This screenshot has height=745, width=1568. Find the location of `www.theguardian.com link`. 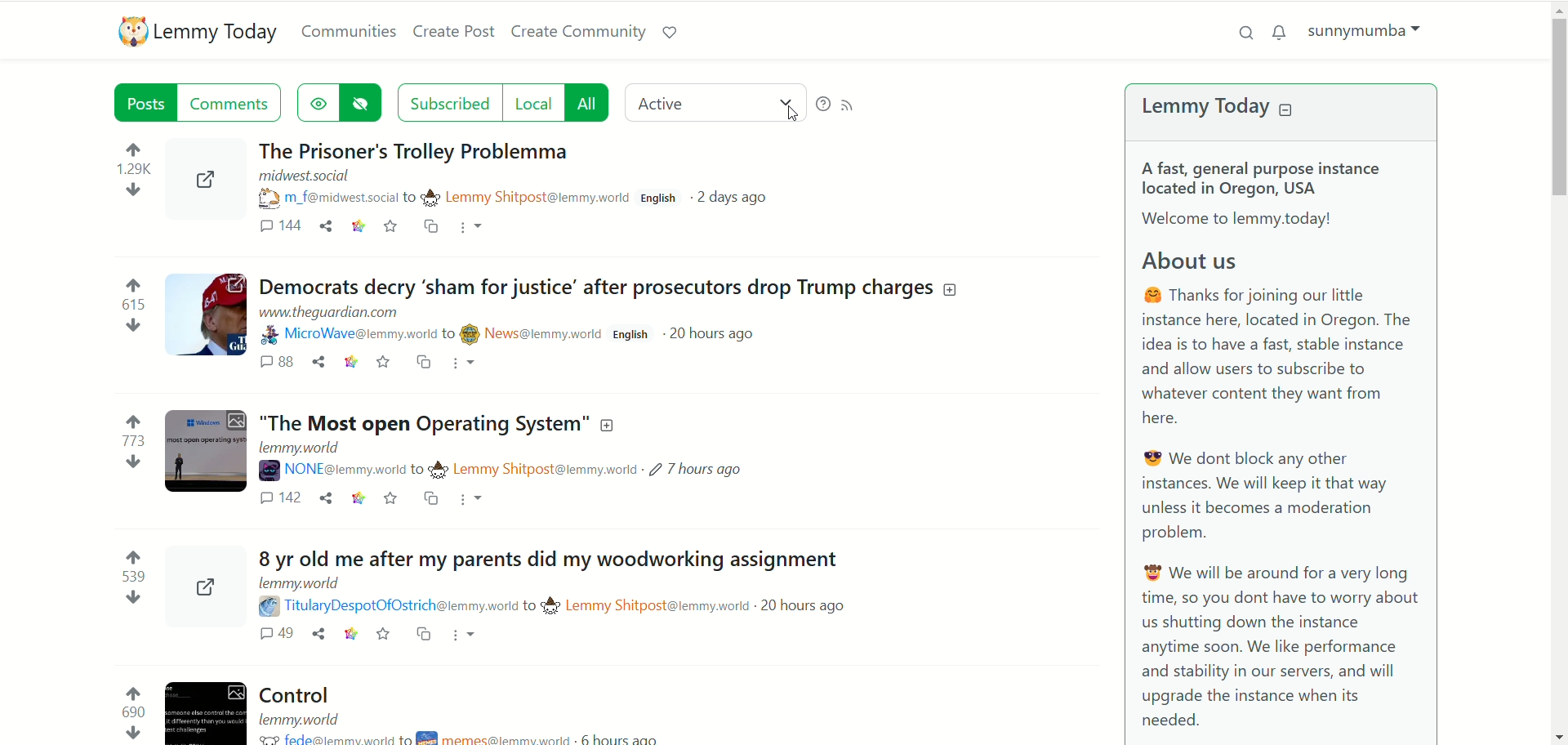

www.theguardian.com link is located at coordinates (345, 315).